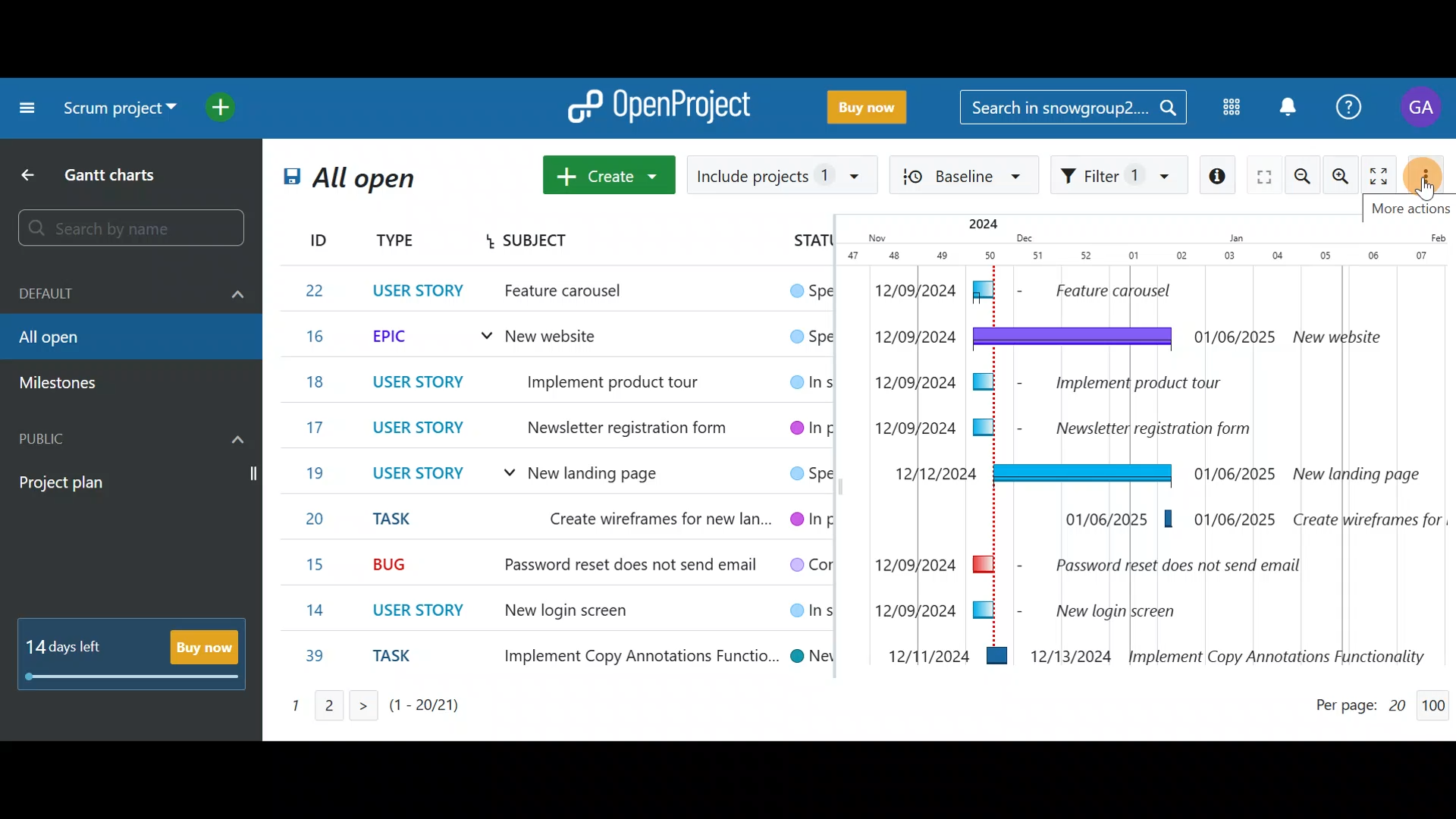 The width and height of the screenshot is (1456, 819). What do you see at coordinates (27, 111) in the screenshot?
I see `Collapse project menu` at bounding box center [27, 111].